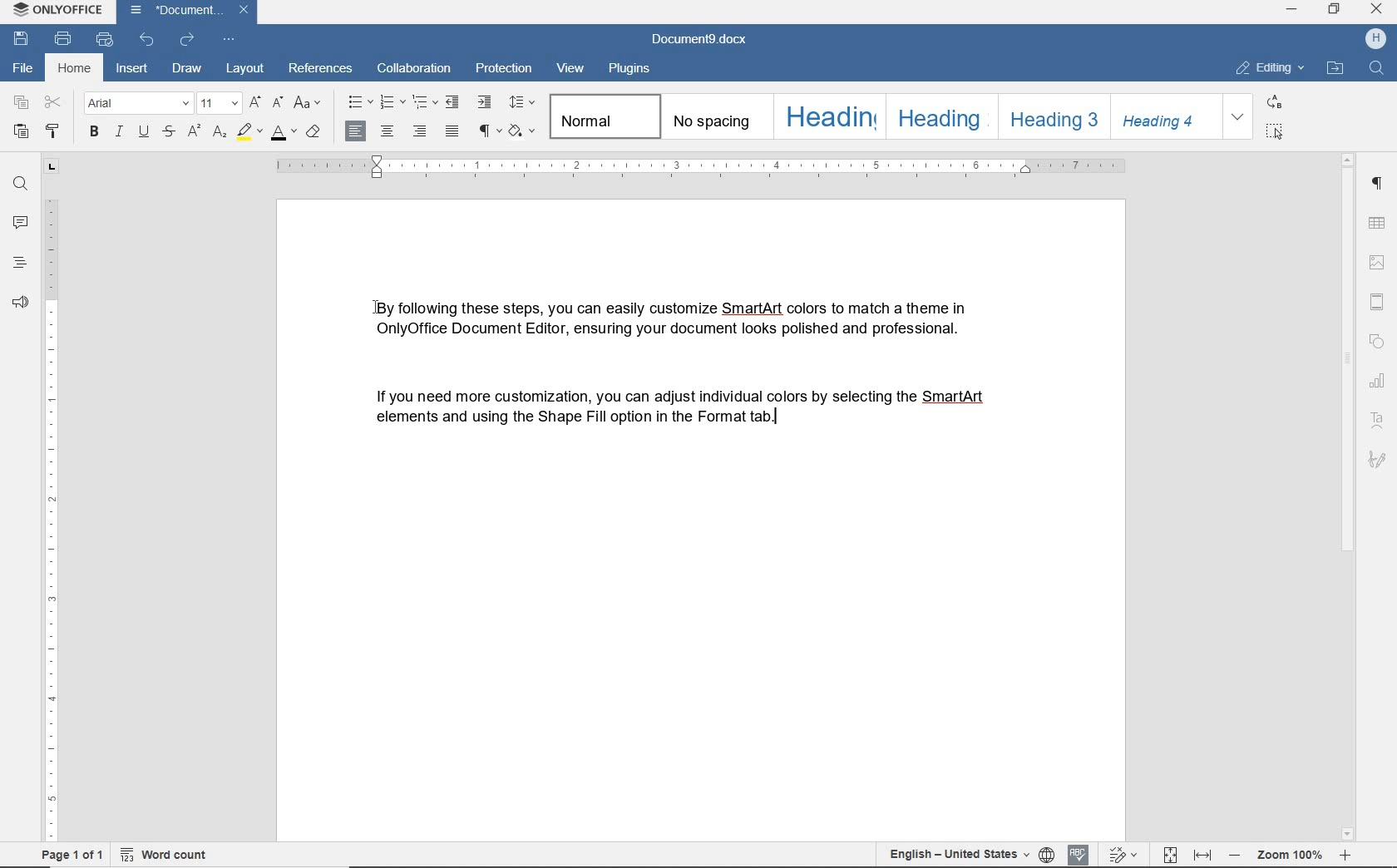 This screenshot has width=1397, height=868. What do you see at coordinates (1335, 10) in the screenshot?
I see `restore down` at bounding box center [1335, 10].